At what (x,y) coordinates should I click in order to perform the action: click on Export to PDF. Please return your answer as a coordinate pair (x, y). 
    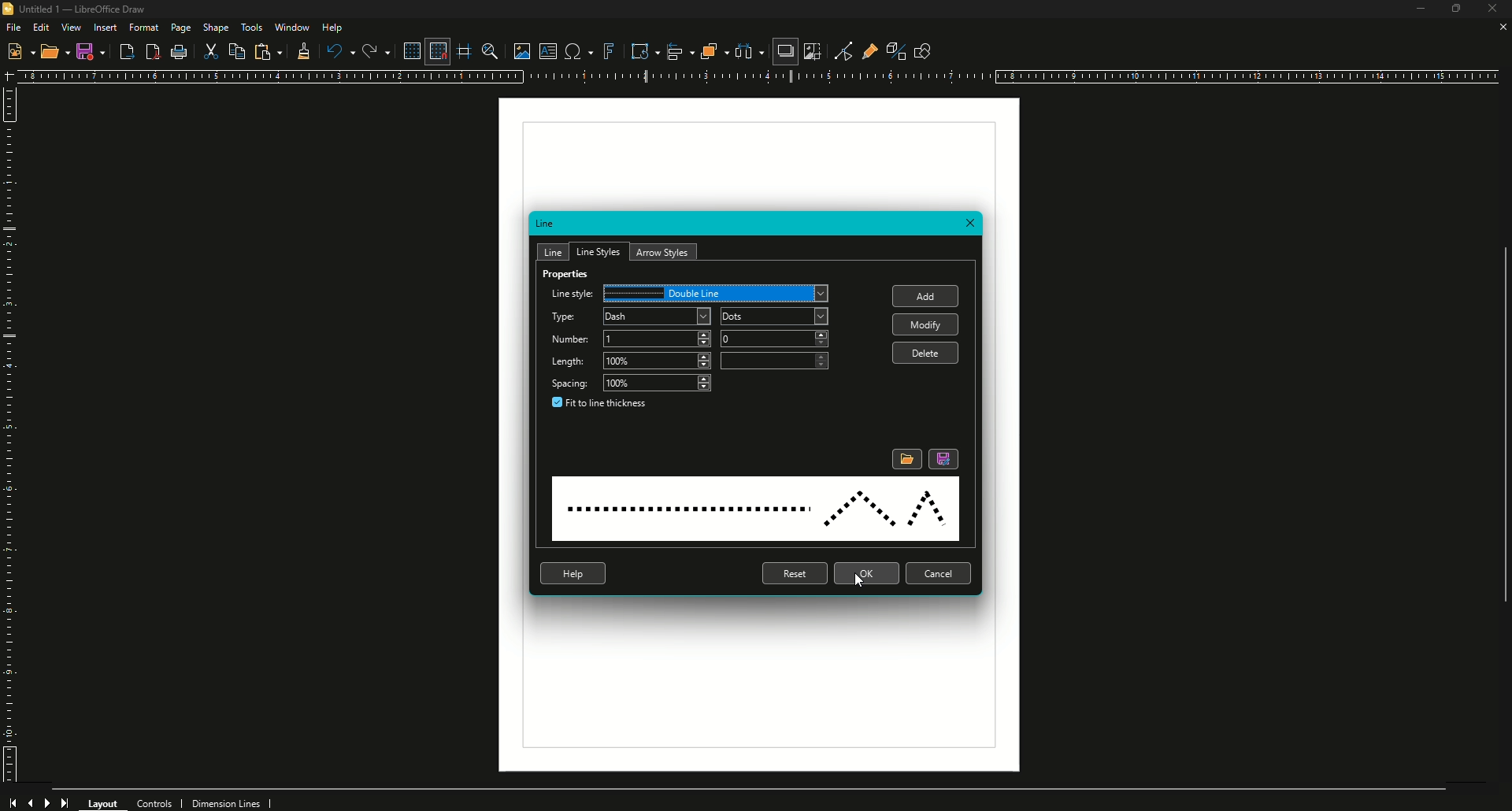
    Looking at the image, I should click on (150, 52).